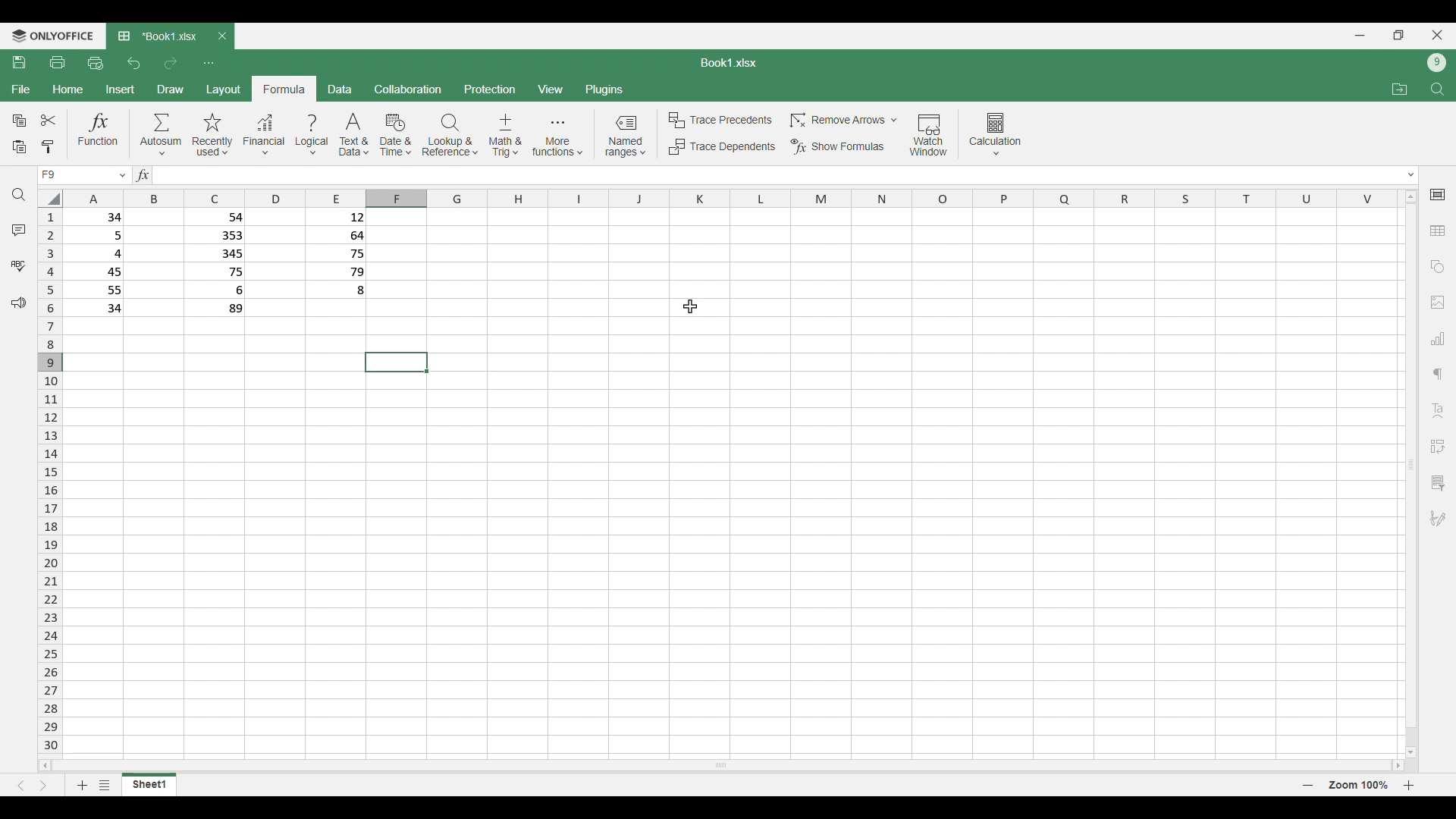 The image size is (1456, 819). I want to click on Trace precedents, so click(719, 121).